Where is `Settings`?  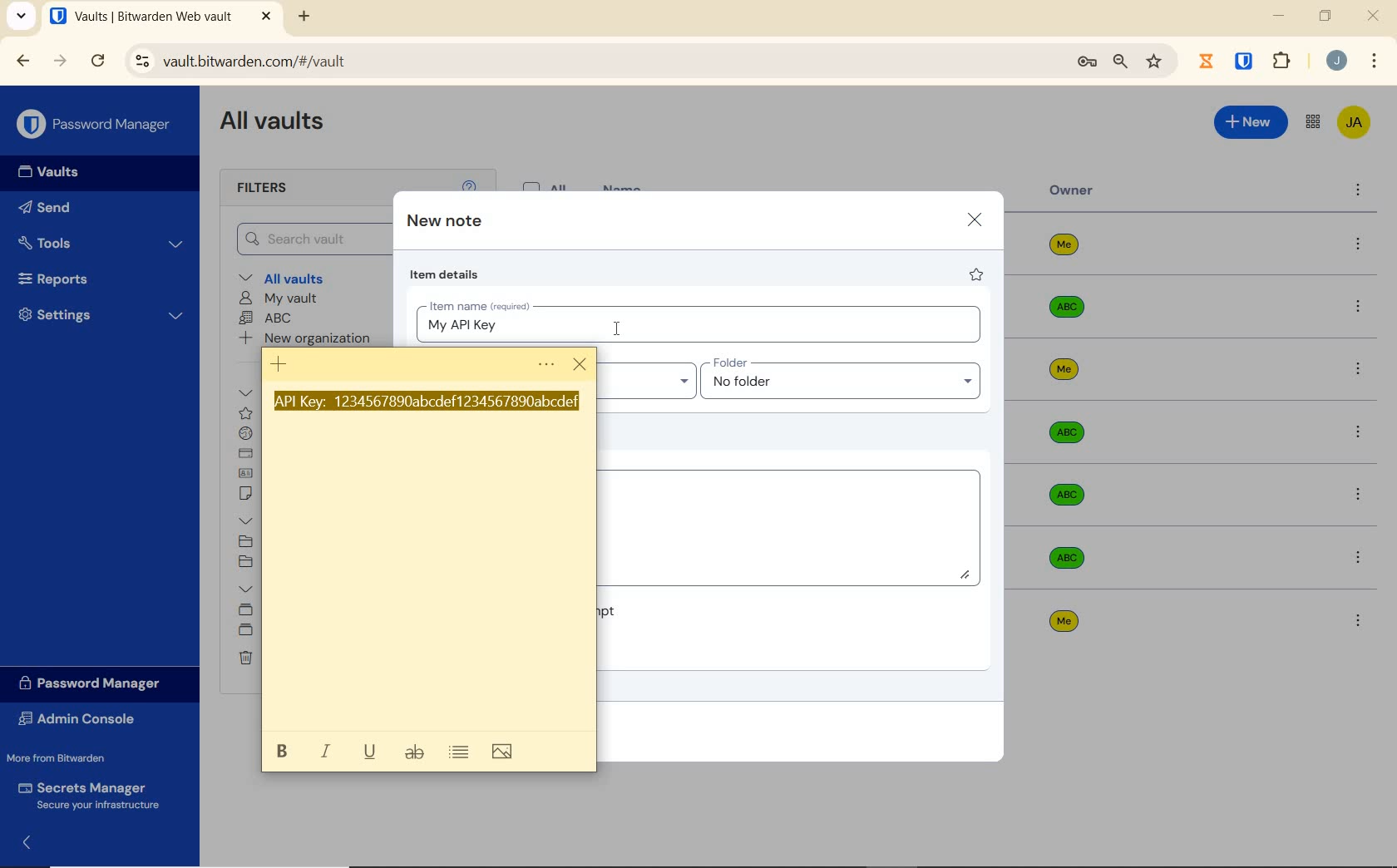
Settings is located at coordinates (102, 318).